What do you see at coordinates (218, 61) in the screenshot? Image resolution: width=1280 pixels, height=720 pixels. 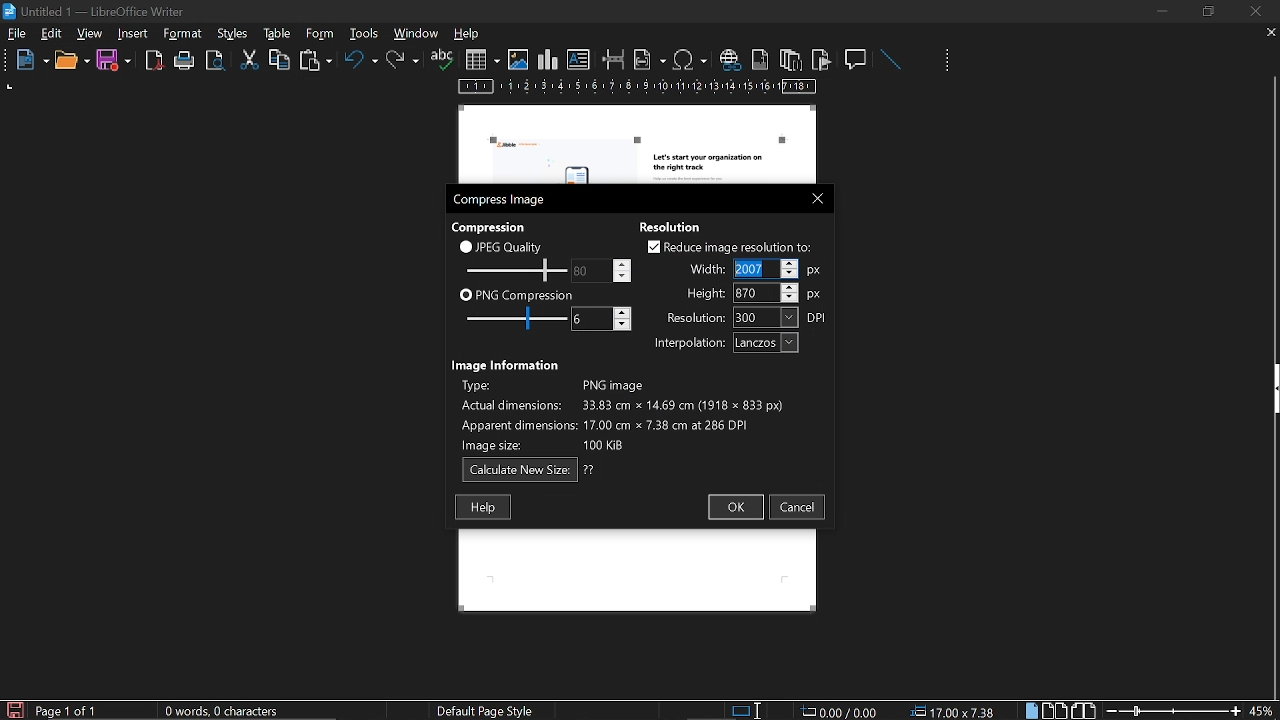 I see `toggle print preview` at bounding box center [218, 61].